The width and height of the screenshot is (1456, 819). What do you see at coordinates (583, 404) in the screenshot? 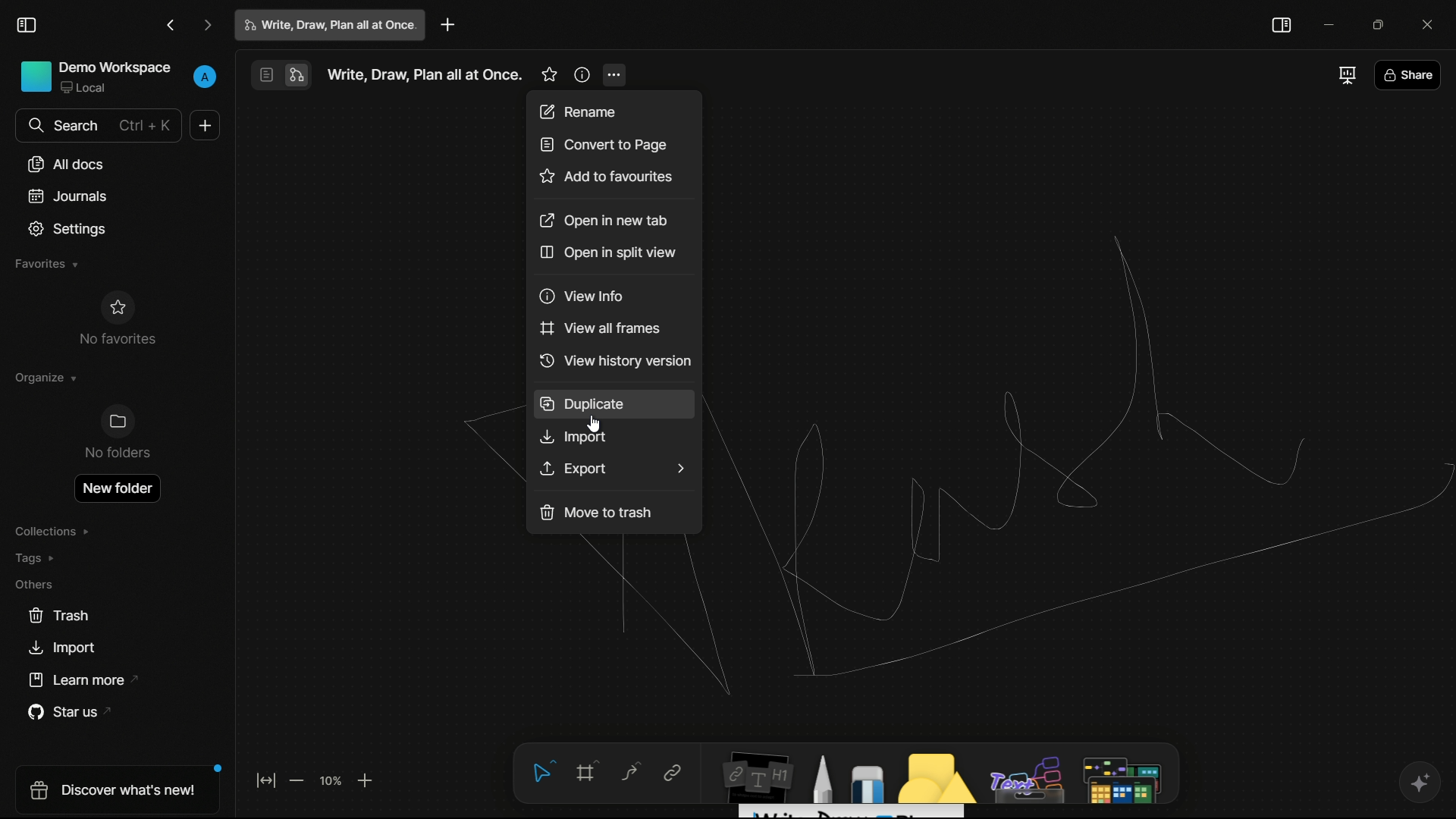
I see `duplicate` at bounding box center [583, 404].